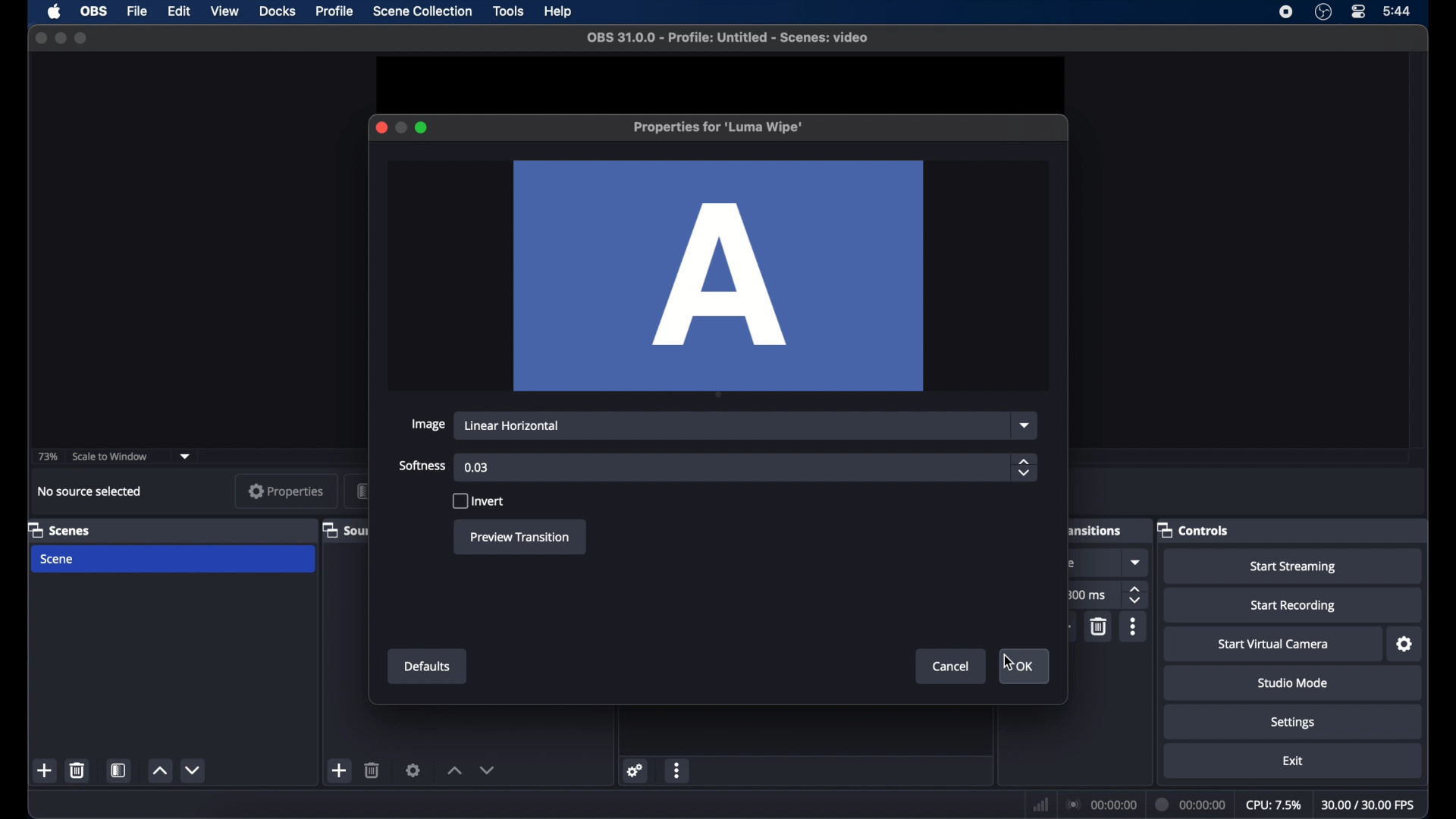 The width and height of the screenshot is (1456, 819). Describe the element at coordinates (717, 127) in the screenshot. I see `properties for luma wipe` at that location.